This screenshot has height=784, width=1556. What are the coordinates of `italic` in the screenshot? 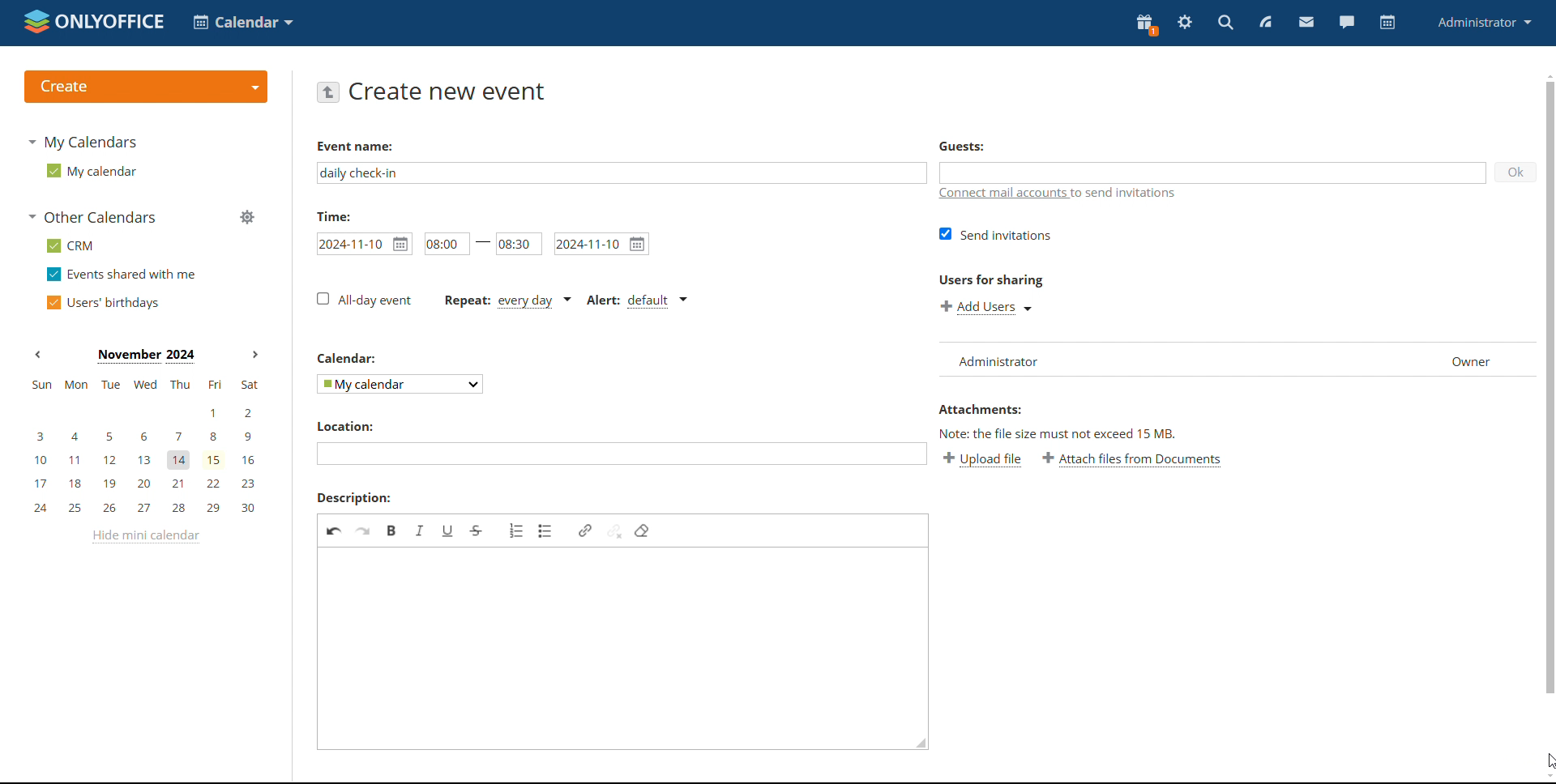 It's located at (419, 530).